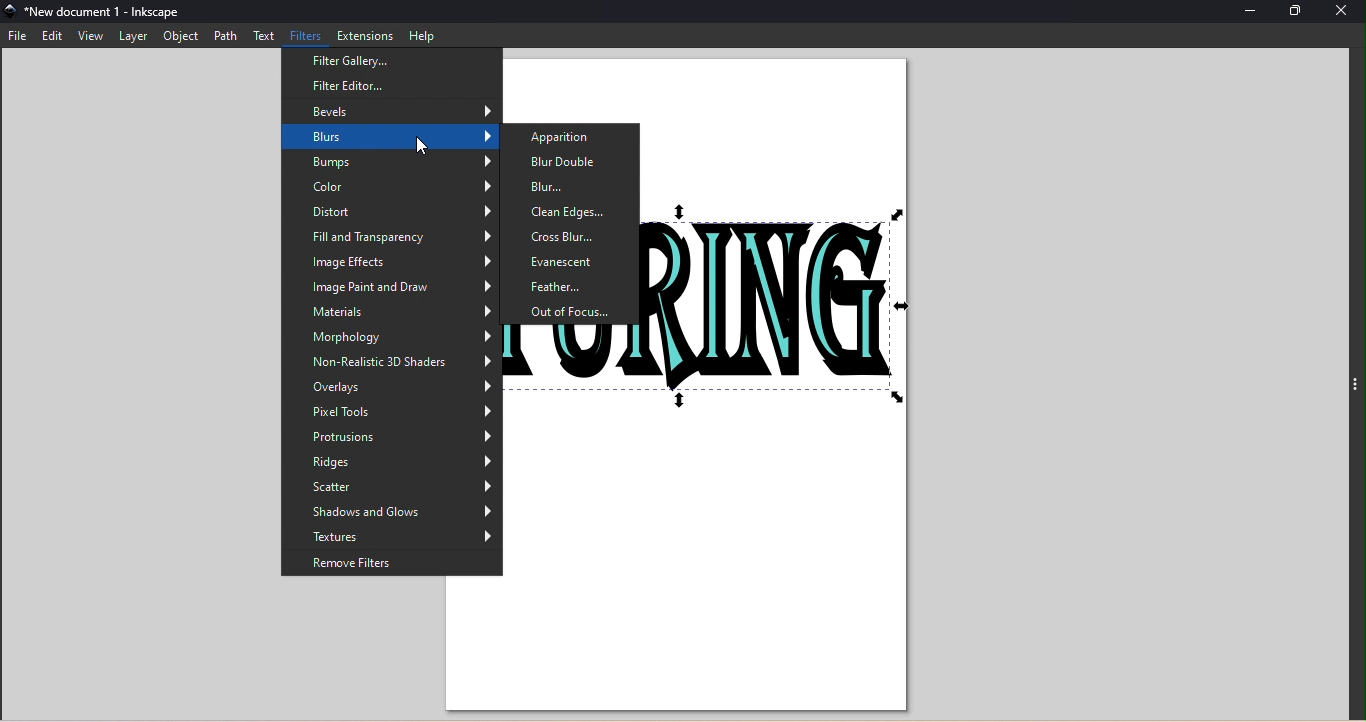  I want to click on Overlays, so click(393, 390).